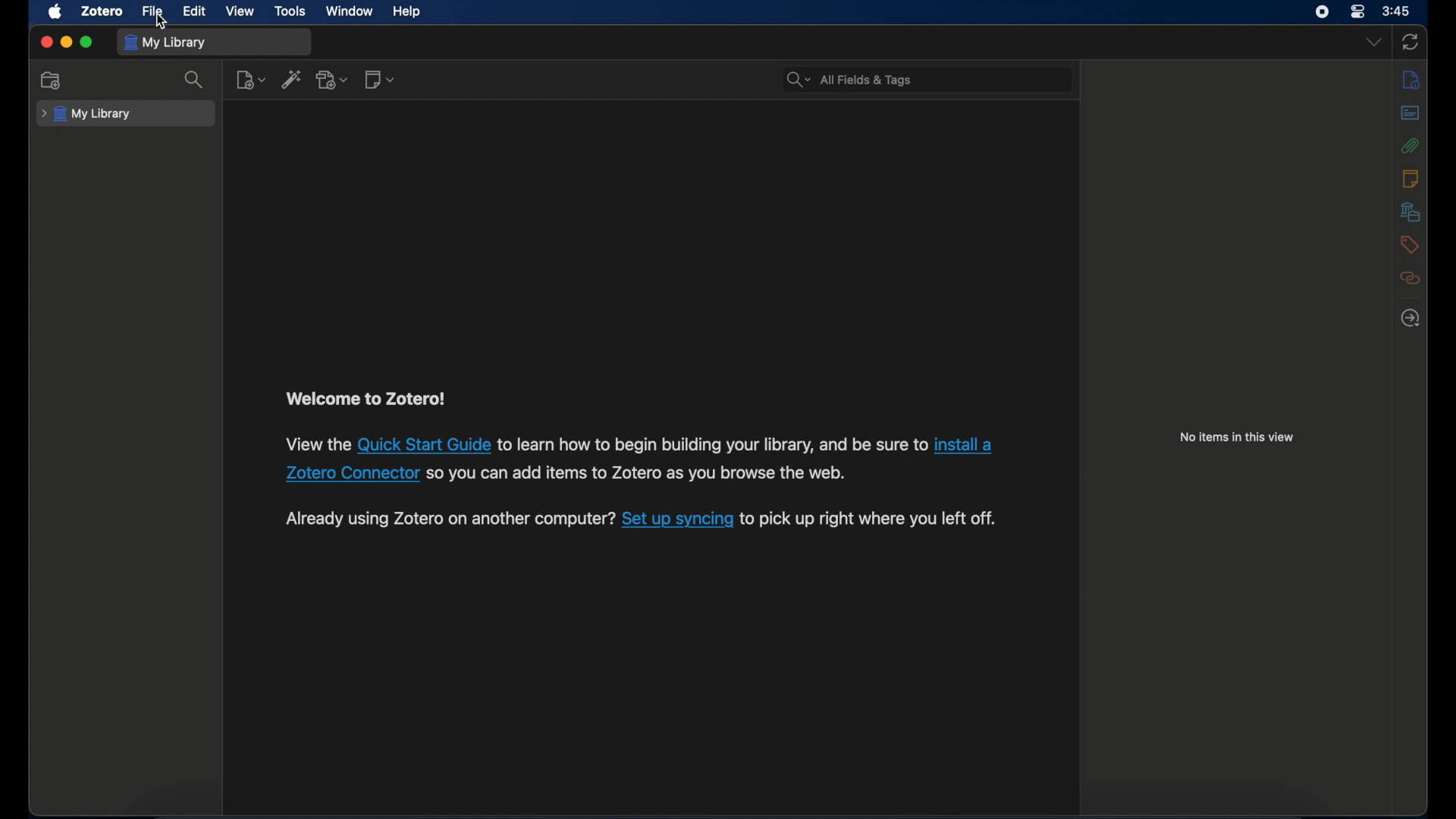  I want to click on new item, so click(251, 80).